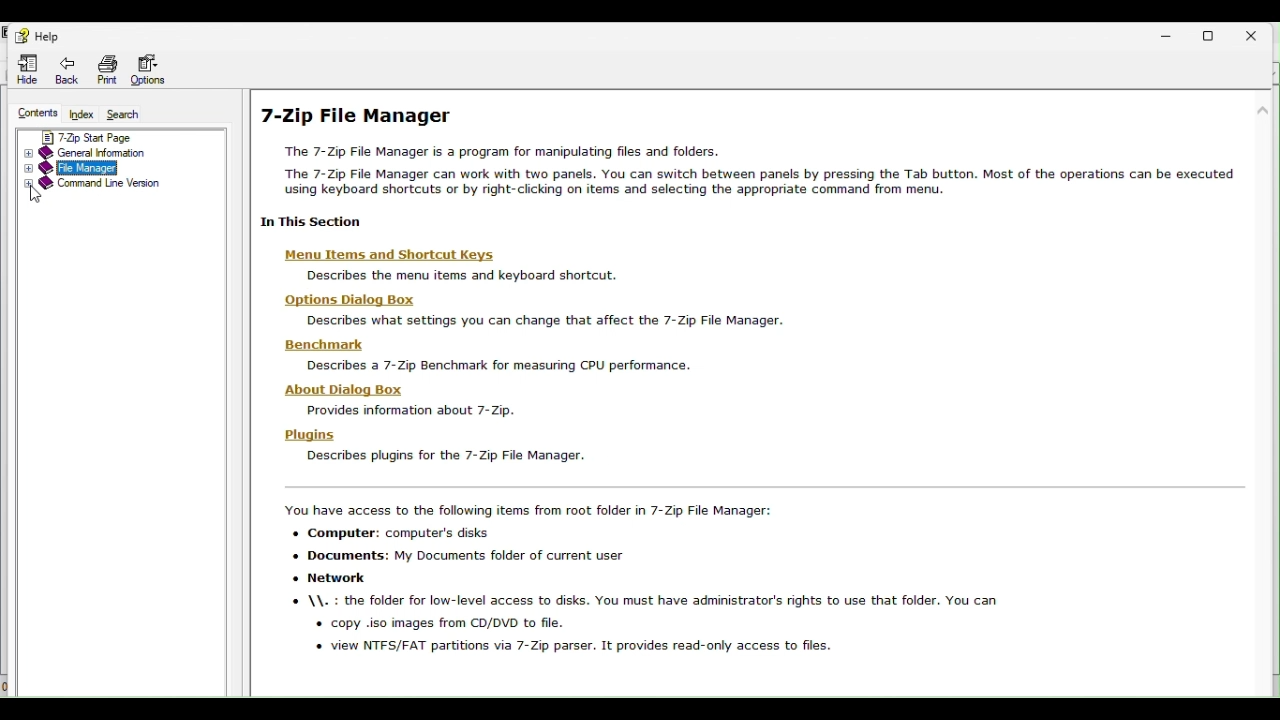 This screenshot has height=720, width=1280. I want to click on Close, so click(1261, 33).